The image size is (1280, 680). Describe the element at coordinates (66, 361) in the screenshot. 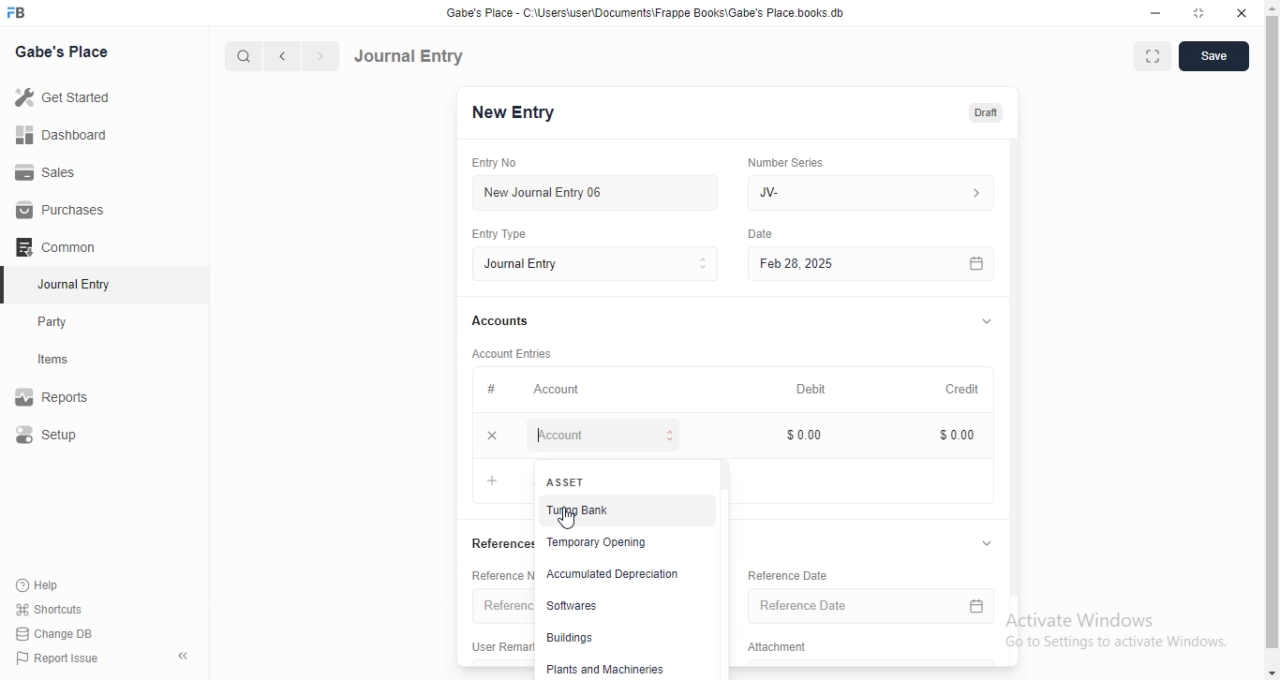

I see `items` at that location.